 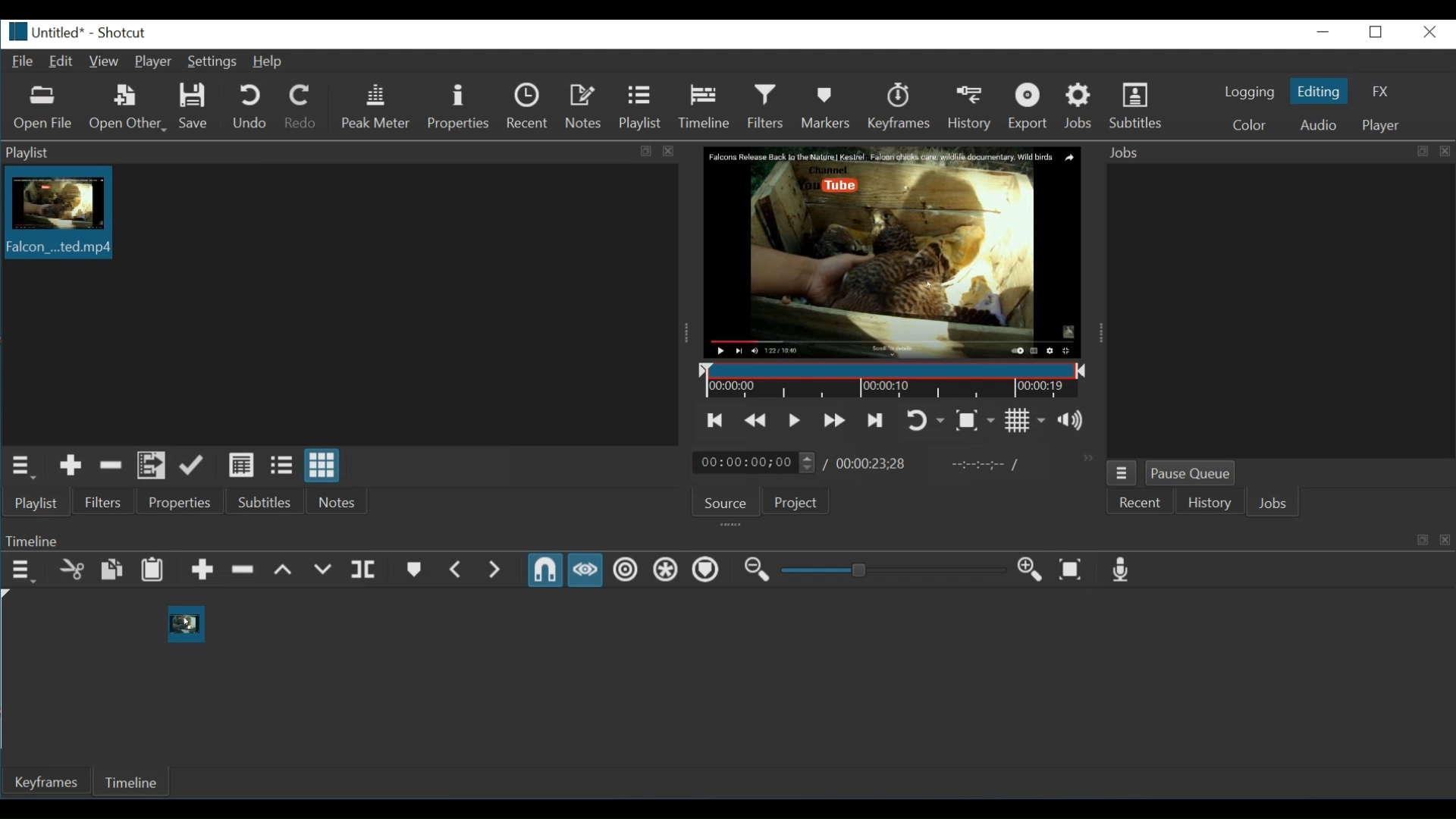 What do you see at coordinates (1034, 106) in the screenshot?
I see `Export` at bounding box center [1034, 106].